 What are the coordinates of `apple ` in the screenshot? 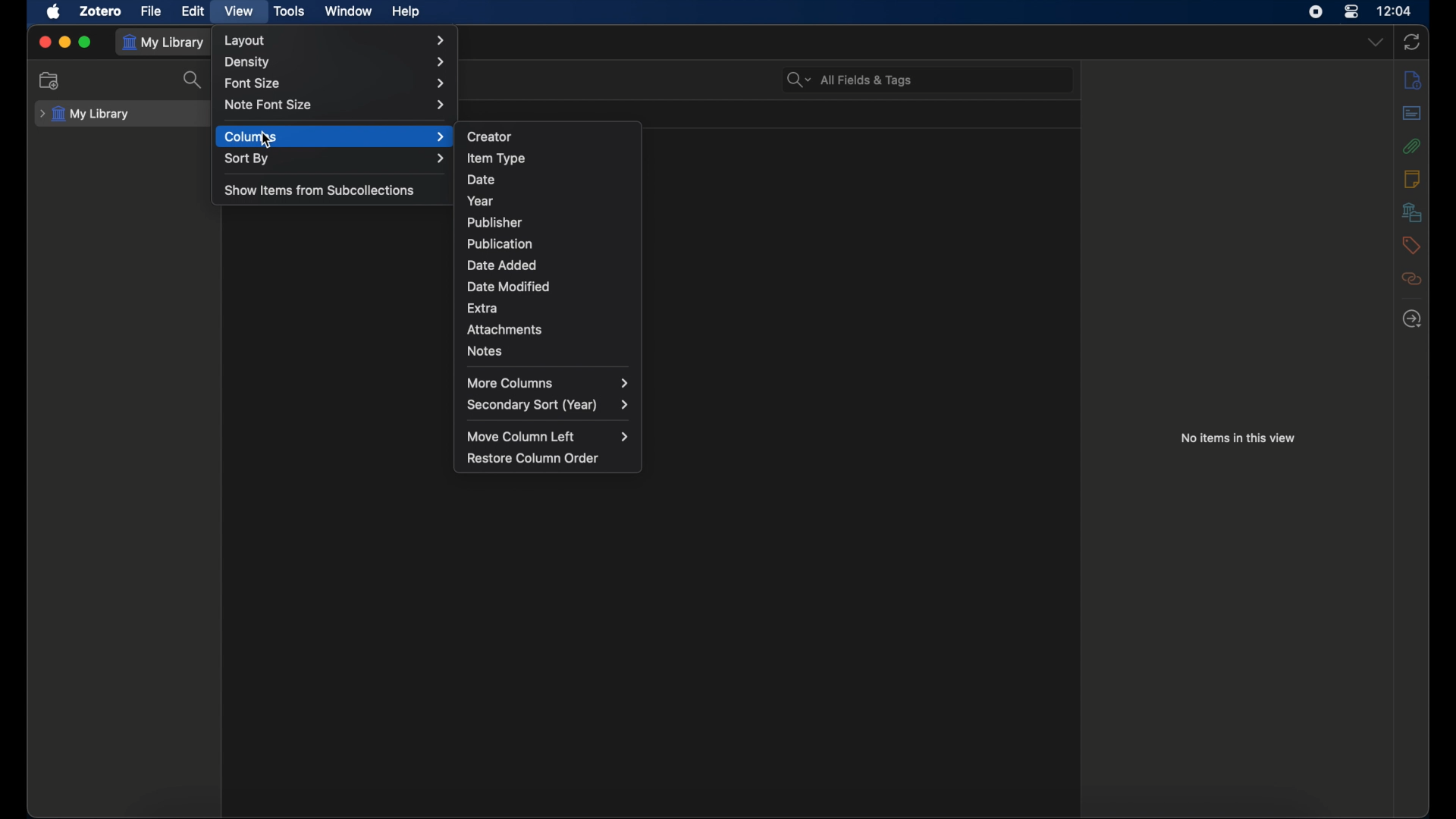 It's located at (54, 11).